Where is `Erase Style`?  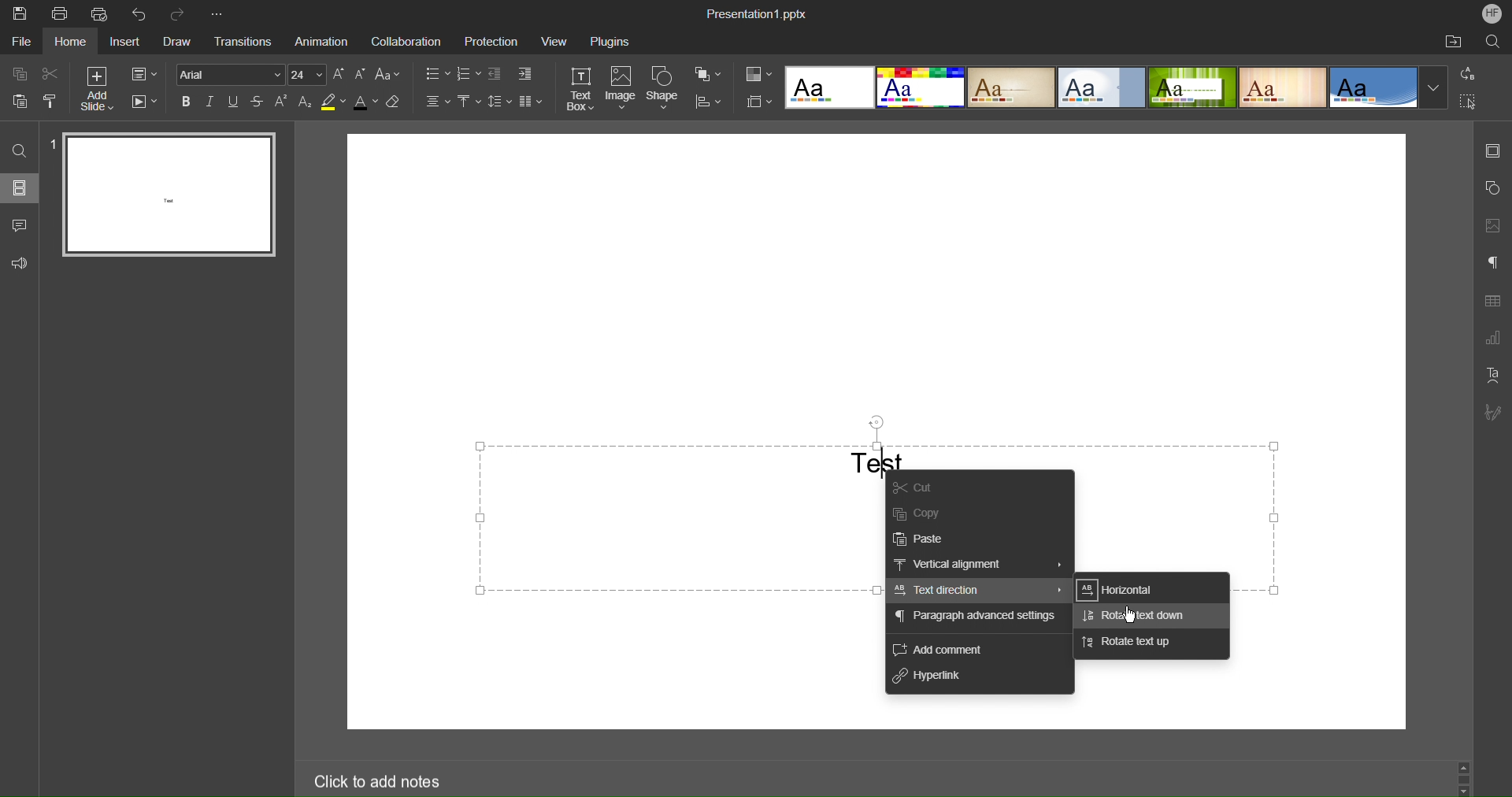
Erase Style is located at coordinates (395, 102).